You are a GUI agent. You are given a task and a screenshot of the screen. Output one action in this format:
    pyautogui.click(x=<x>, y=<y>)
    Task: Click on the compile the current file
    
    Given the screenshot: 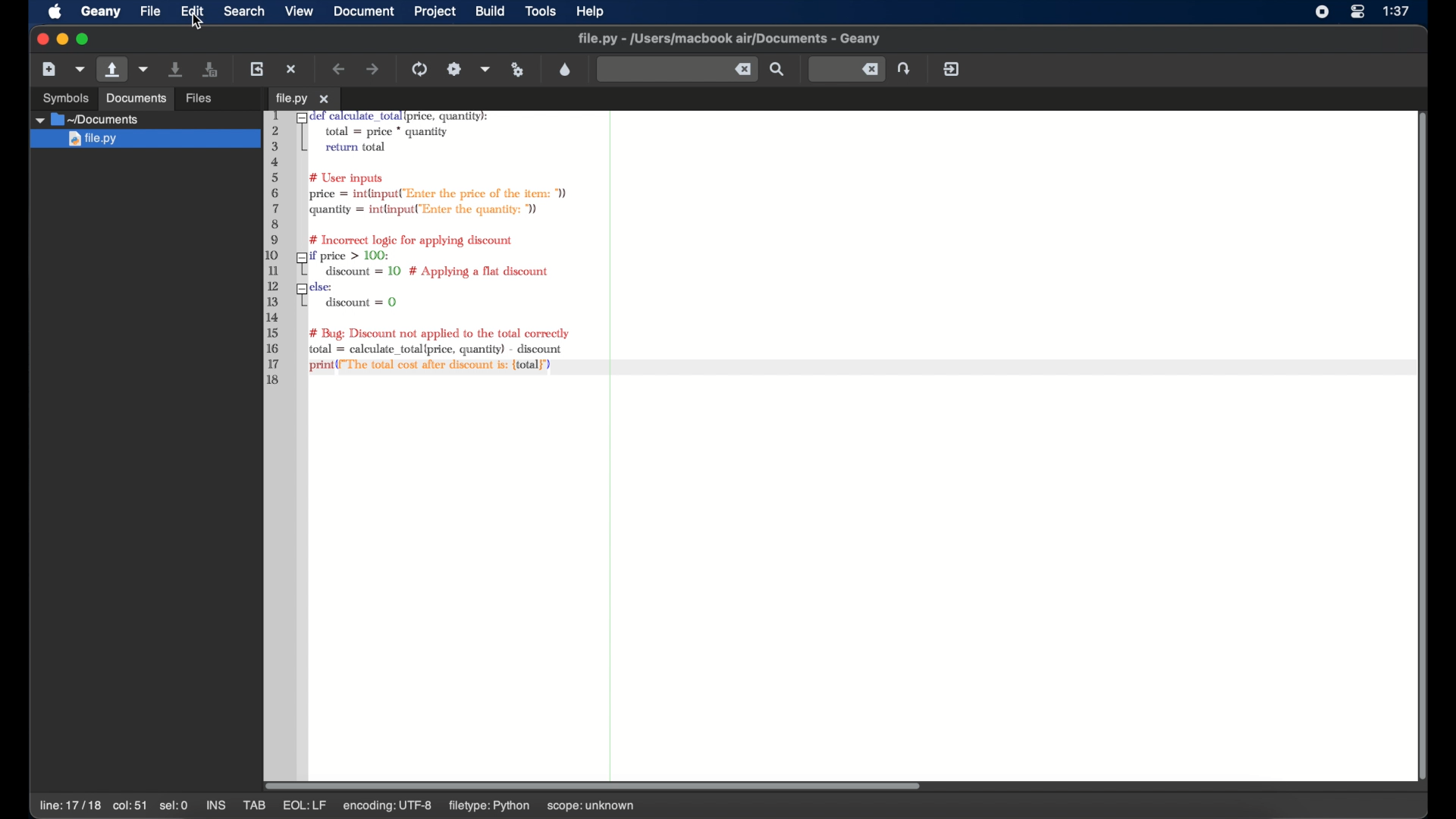 What is the action you would take?
    pyautogui.click(x=420, y=68)
    